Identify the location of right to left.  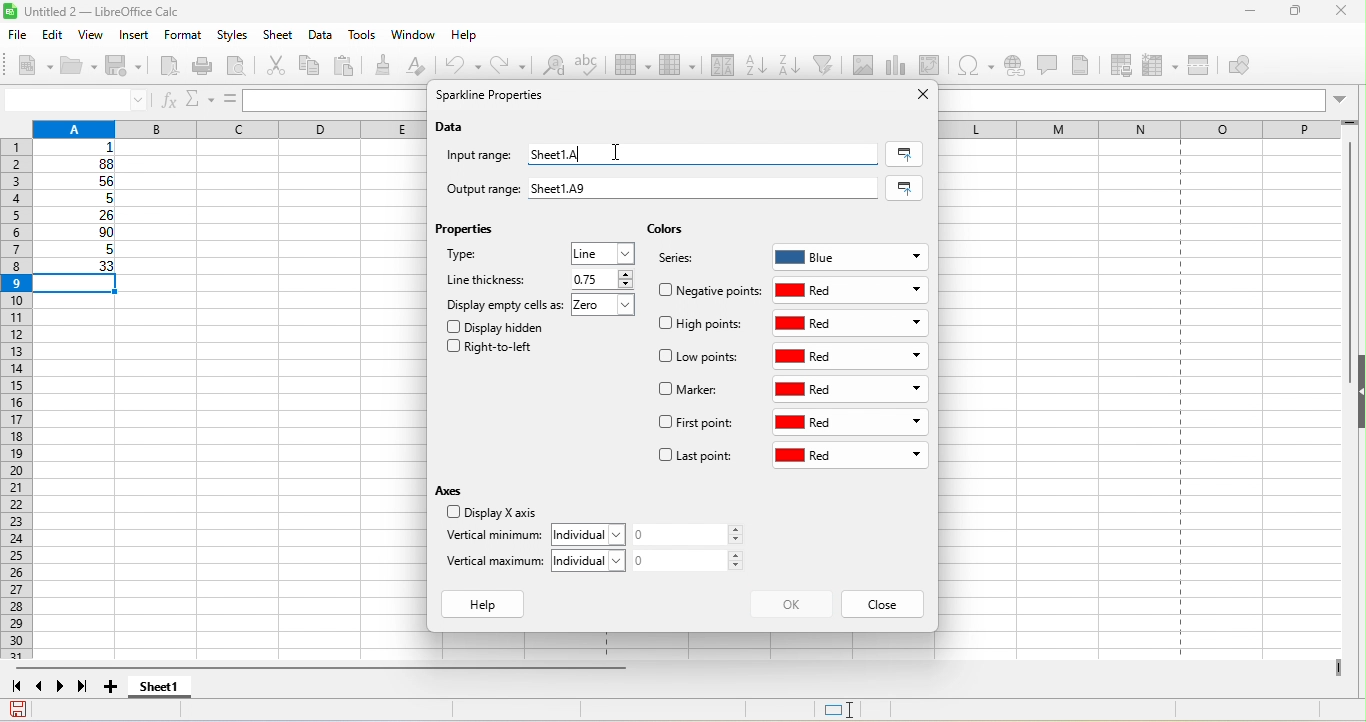
(496, 350).